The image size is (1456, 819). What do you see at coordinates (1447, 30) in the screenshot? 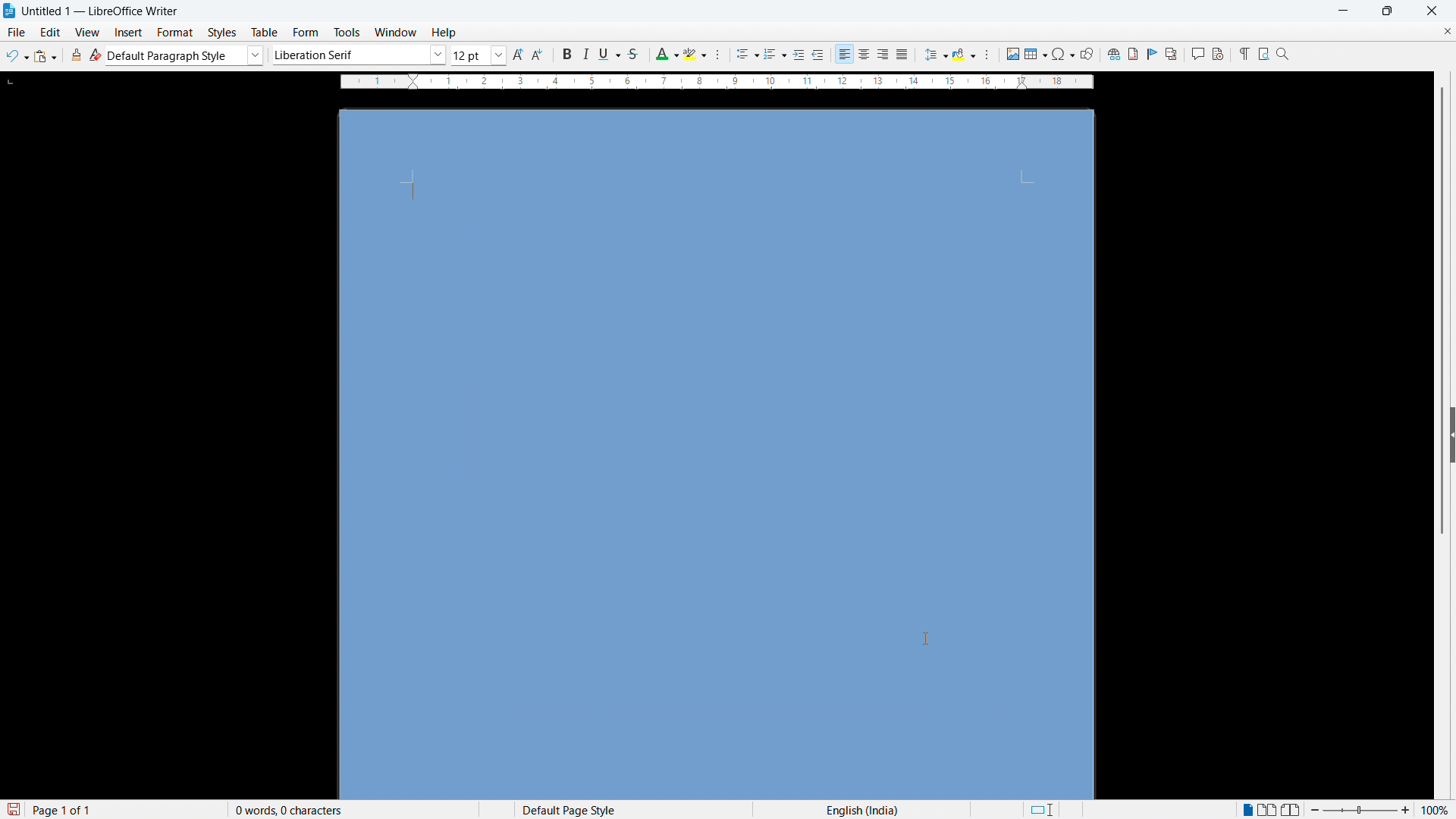
I see `Close document ` at bounding box center [1447, 30].